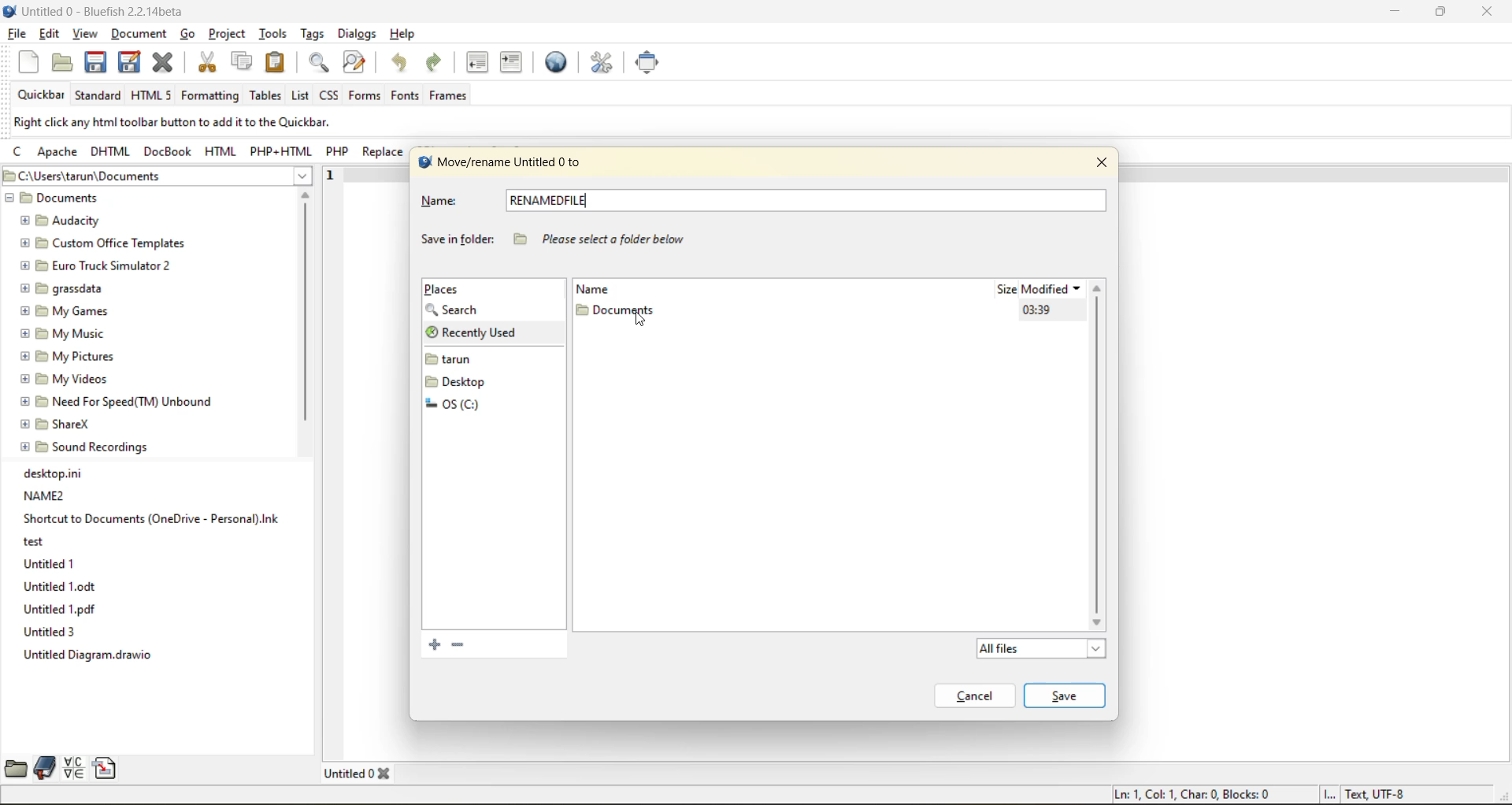  I want to click on tools, so click(275, 34).